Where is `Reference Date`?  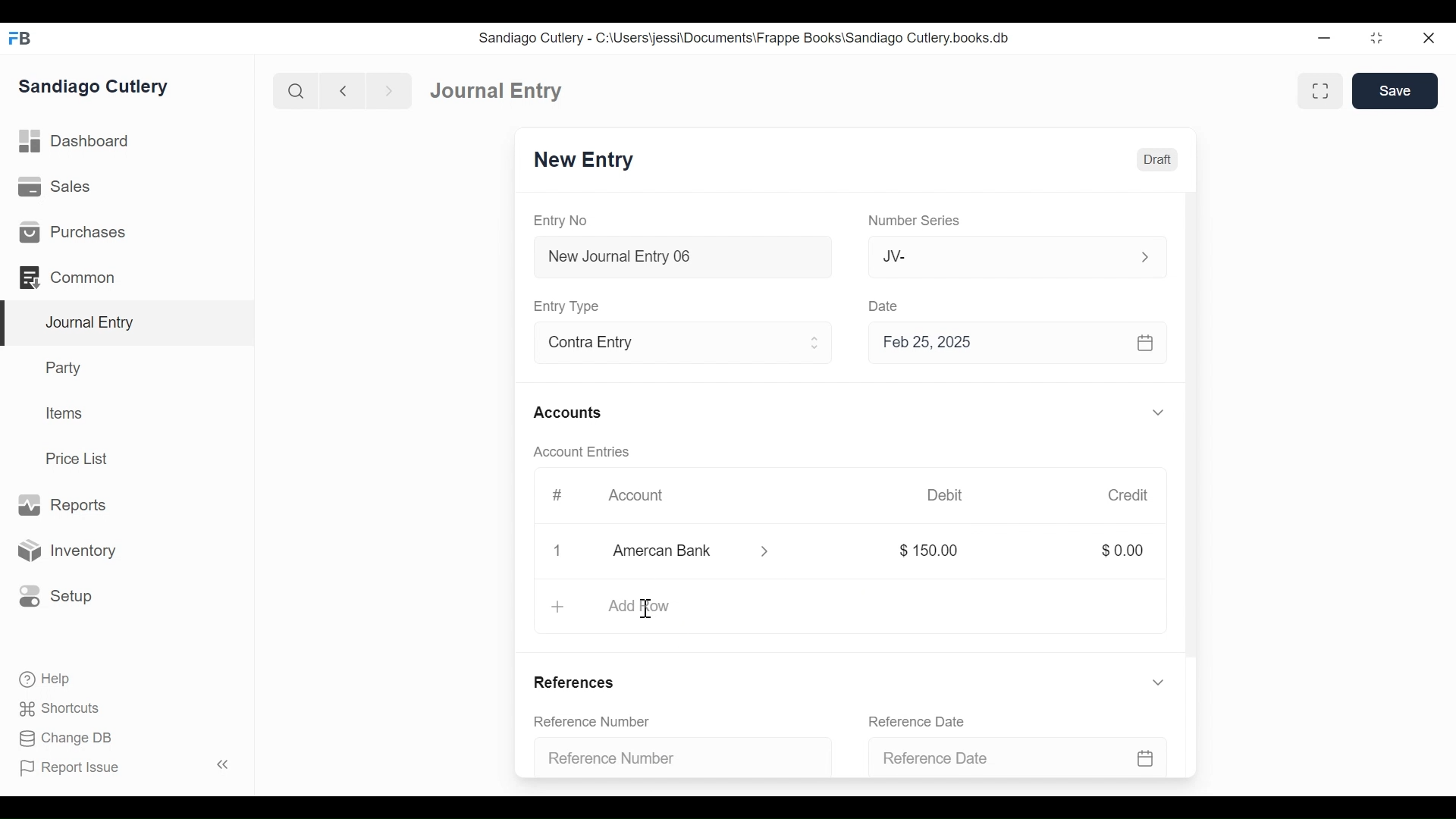
Reference Date is located at coordinates (924, 721).